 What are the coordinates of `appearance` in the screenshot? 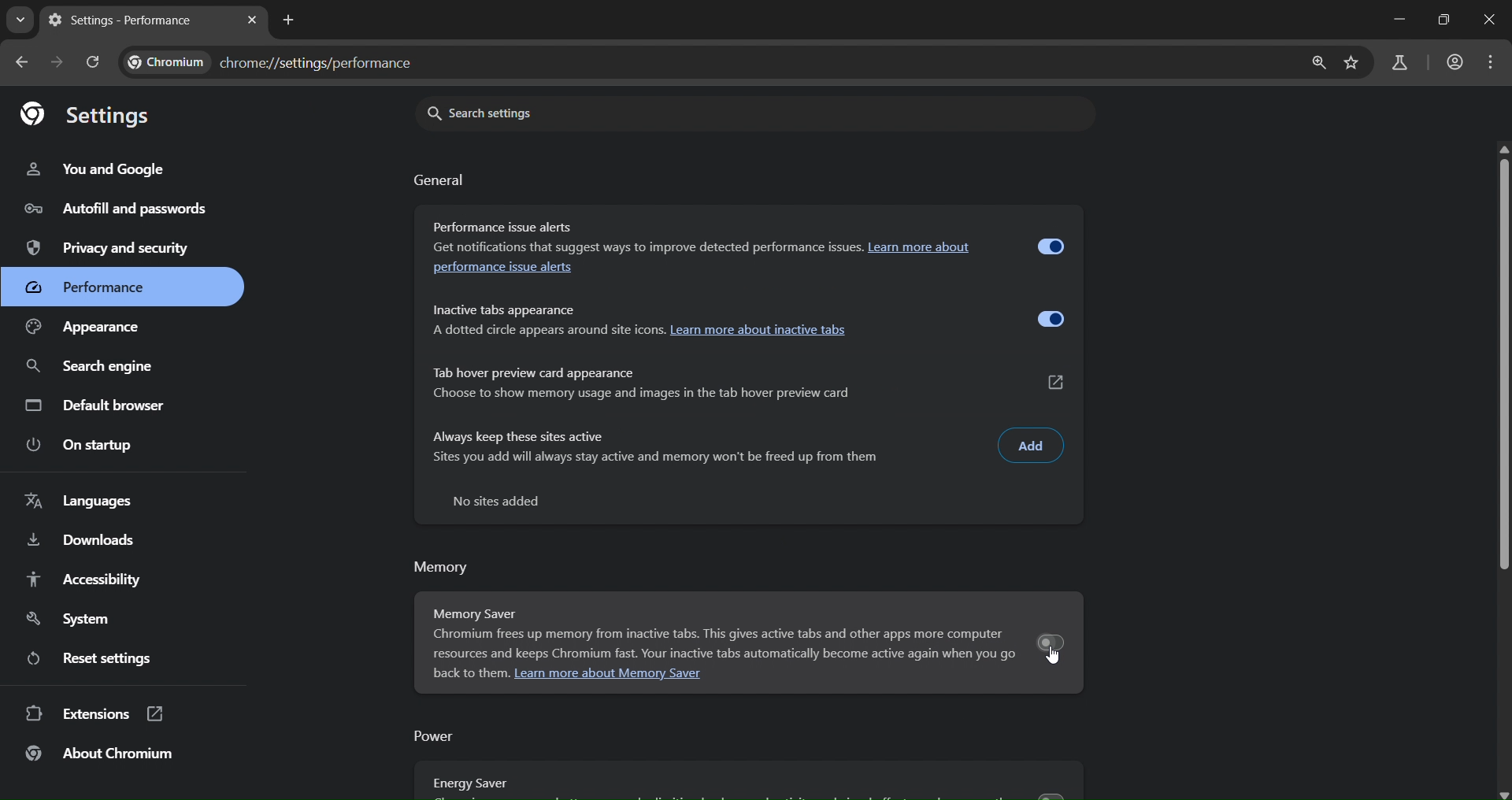 It's located at (91, 329).